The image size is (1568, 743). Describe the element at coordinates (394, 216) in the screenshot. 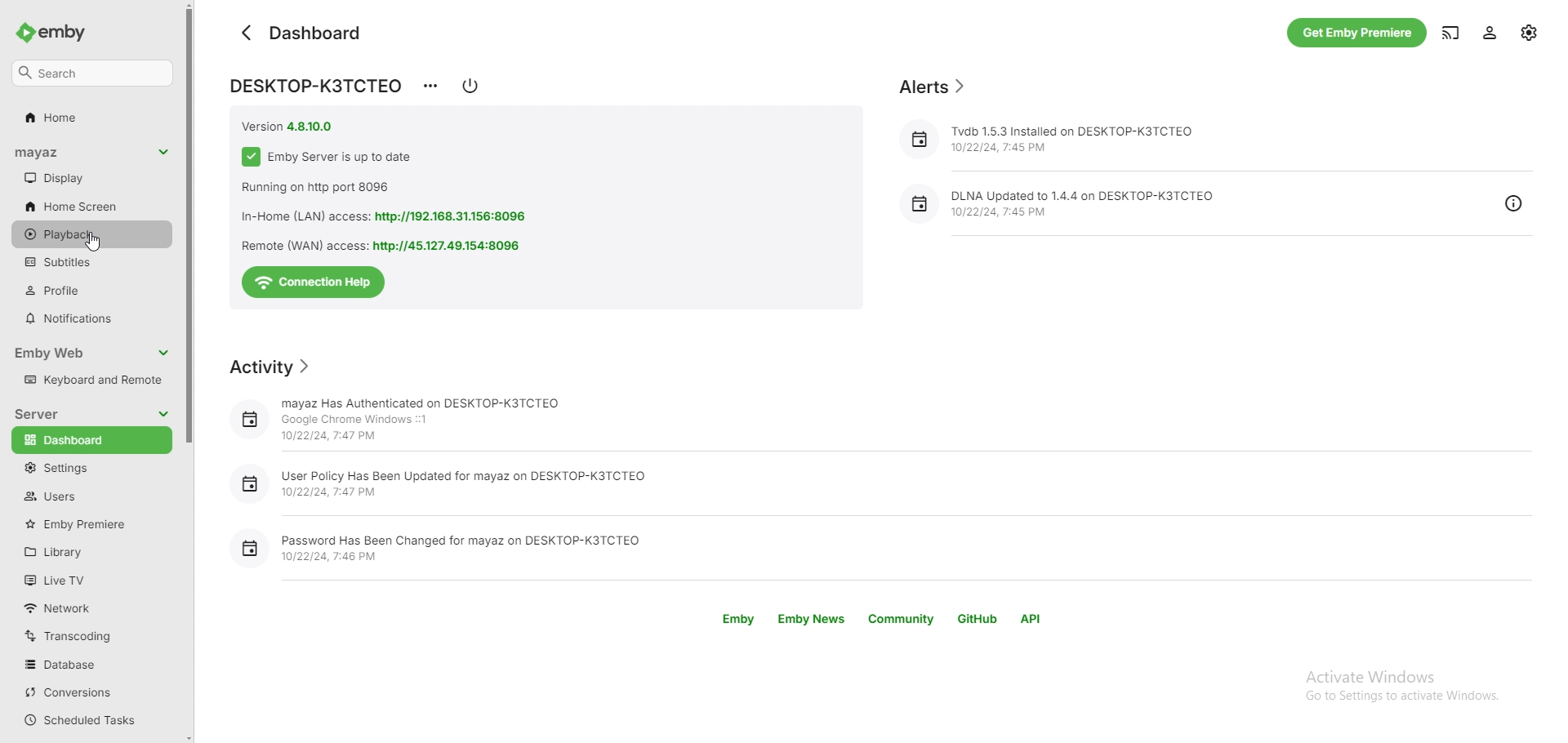

I see `In-Home (LAN) access: http://192.168.31.156:8096` at that location.